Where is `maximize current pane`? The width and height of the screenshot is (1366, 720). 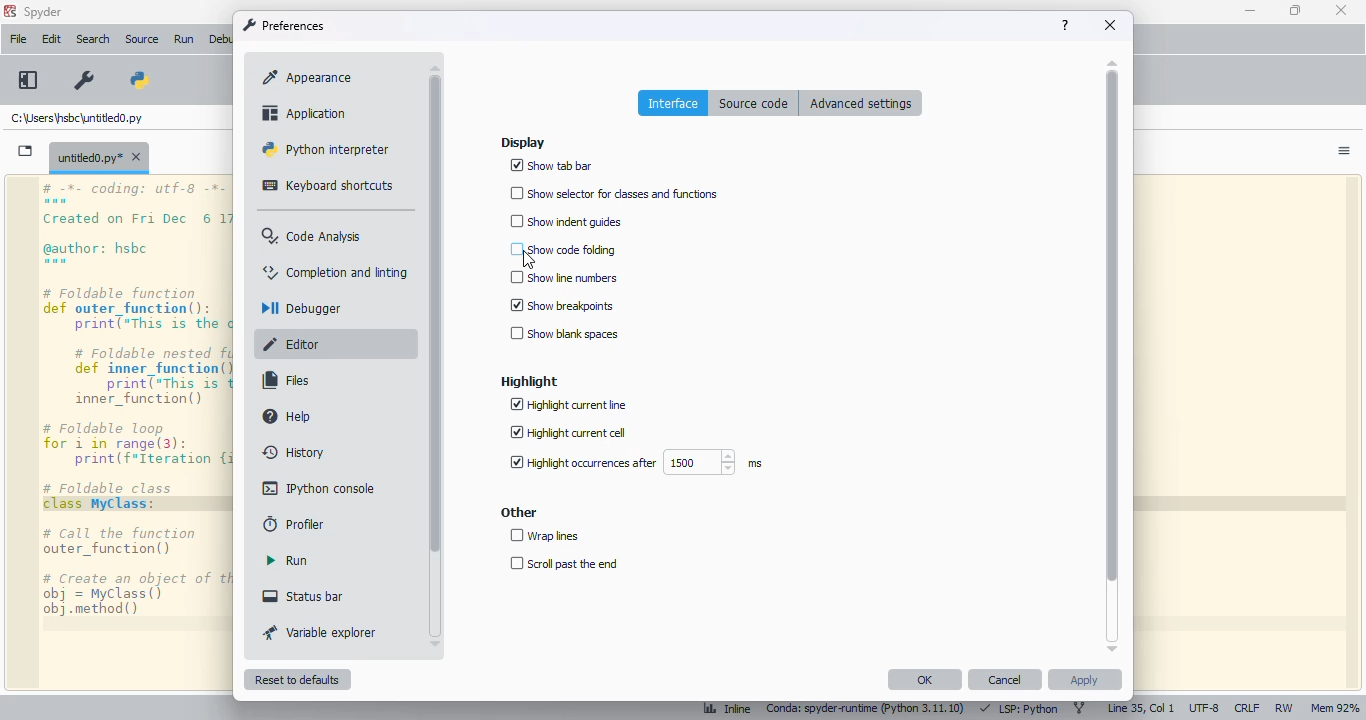 maximize current pane is located at coordinates (28, 80).